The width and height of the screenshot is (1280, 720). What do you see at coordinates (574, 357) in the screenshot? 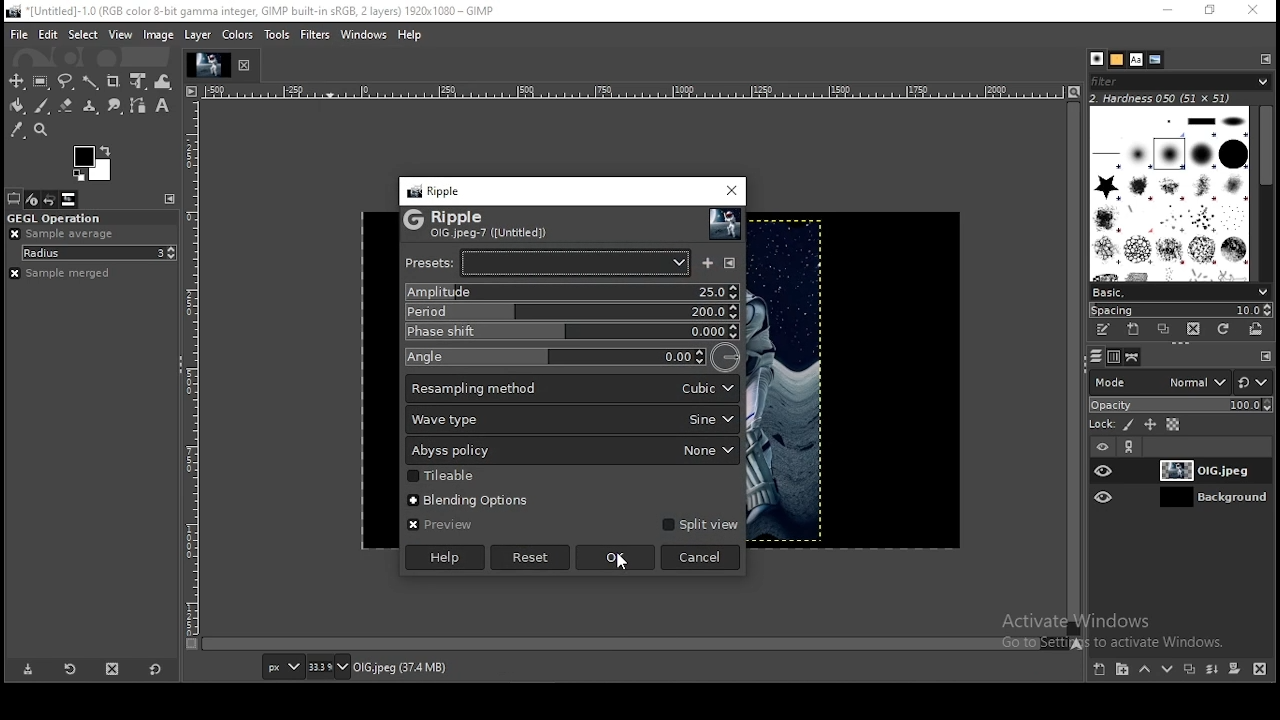
I see `angle` at bounding box center [574, 357].